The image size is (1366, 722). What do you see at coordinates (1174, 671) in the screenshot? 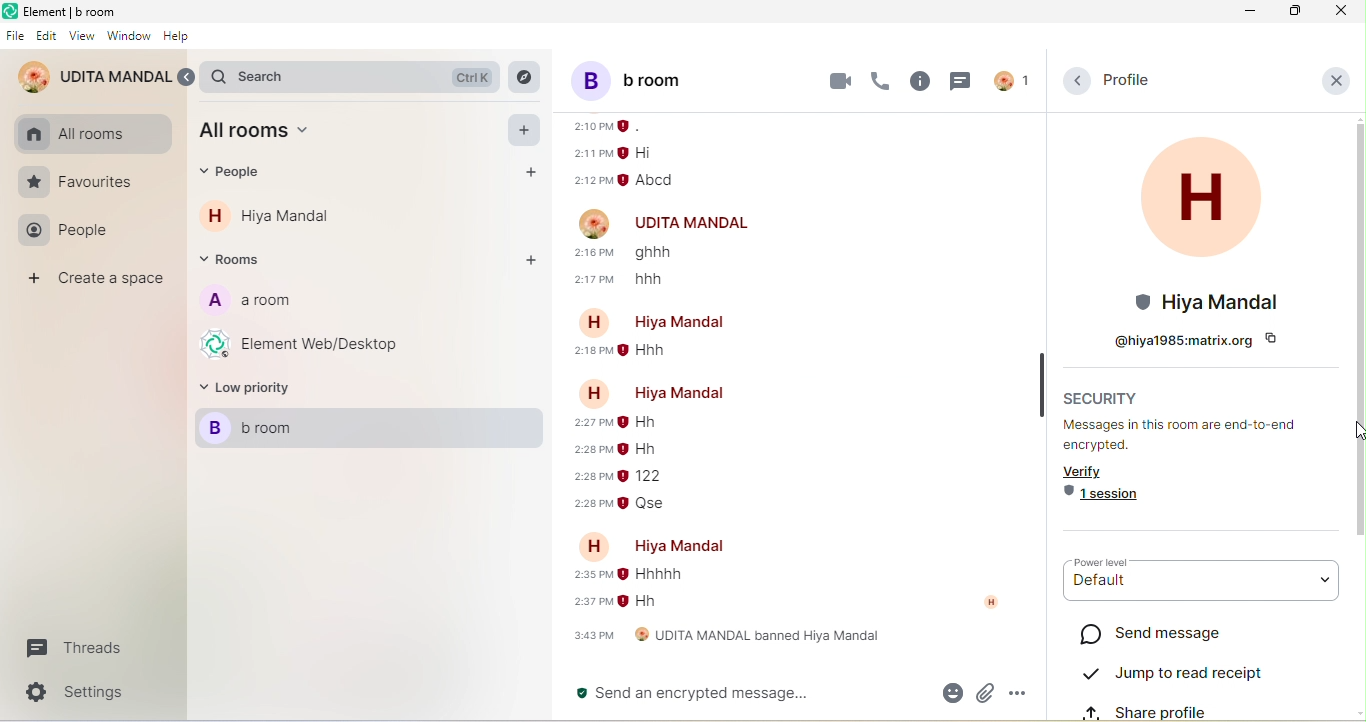
I see `jump to read receipt` at bounding box center [1174, 671].